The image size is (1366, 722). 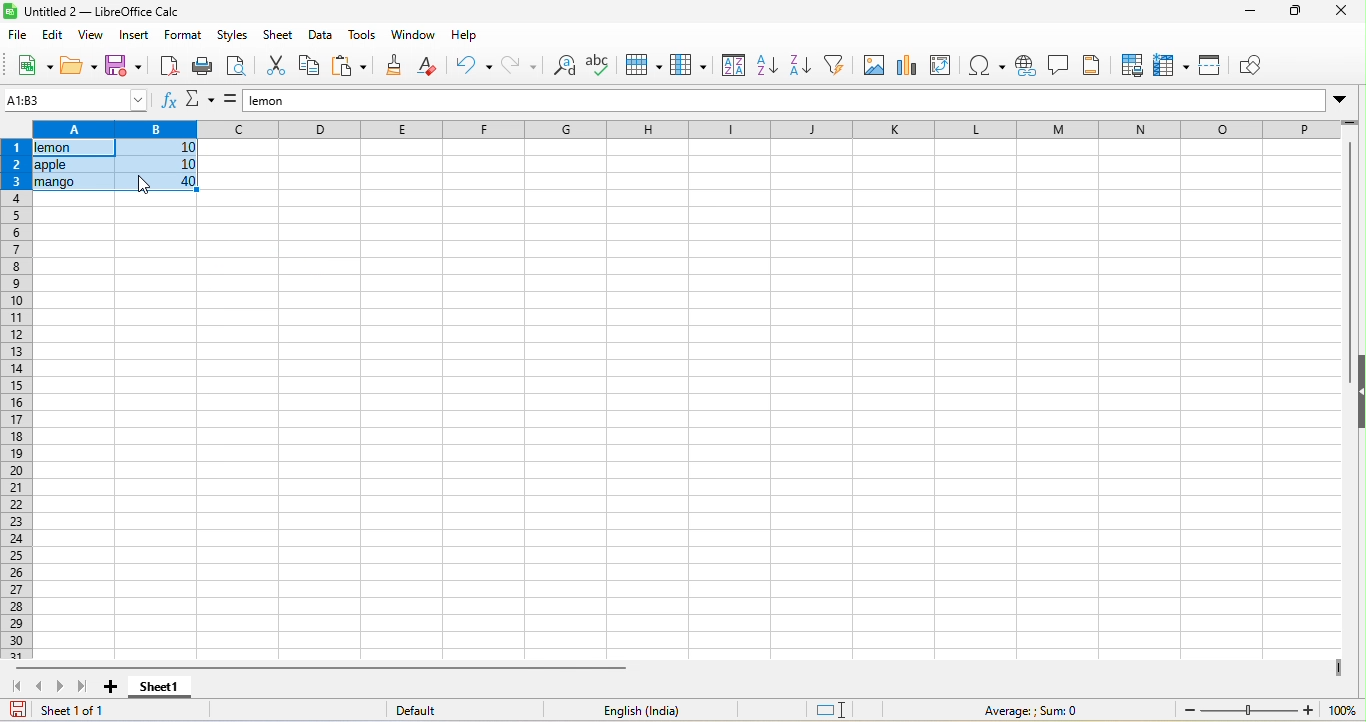 I want to click on sheet 1, so click(x=164, y=688).